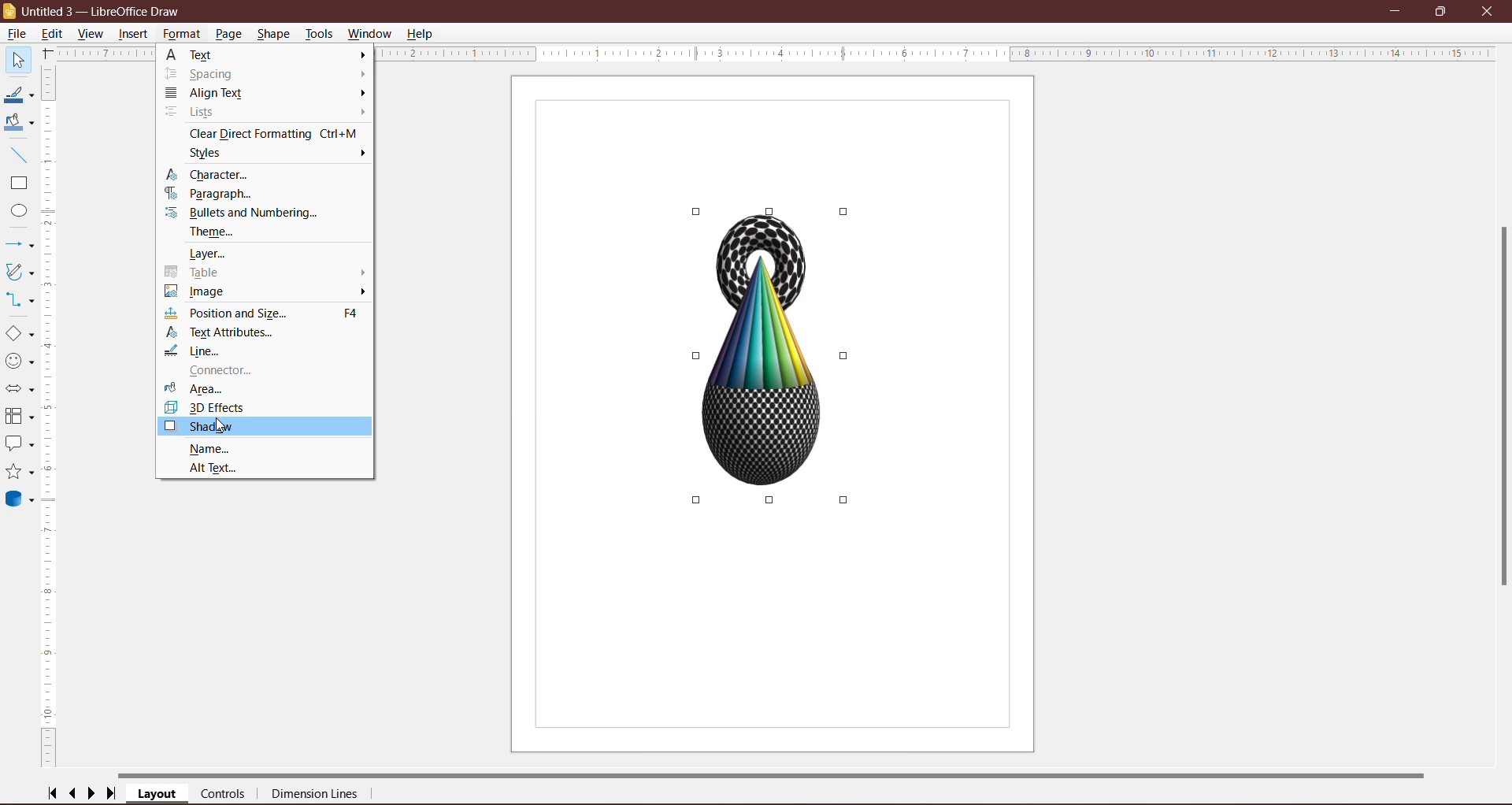  I want to click on Connector, so click(214, 371).